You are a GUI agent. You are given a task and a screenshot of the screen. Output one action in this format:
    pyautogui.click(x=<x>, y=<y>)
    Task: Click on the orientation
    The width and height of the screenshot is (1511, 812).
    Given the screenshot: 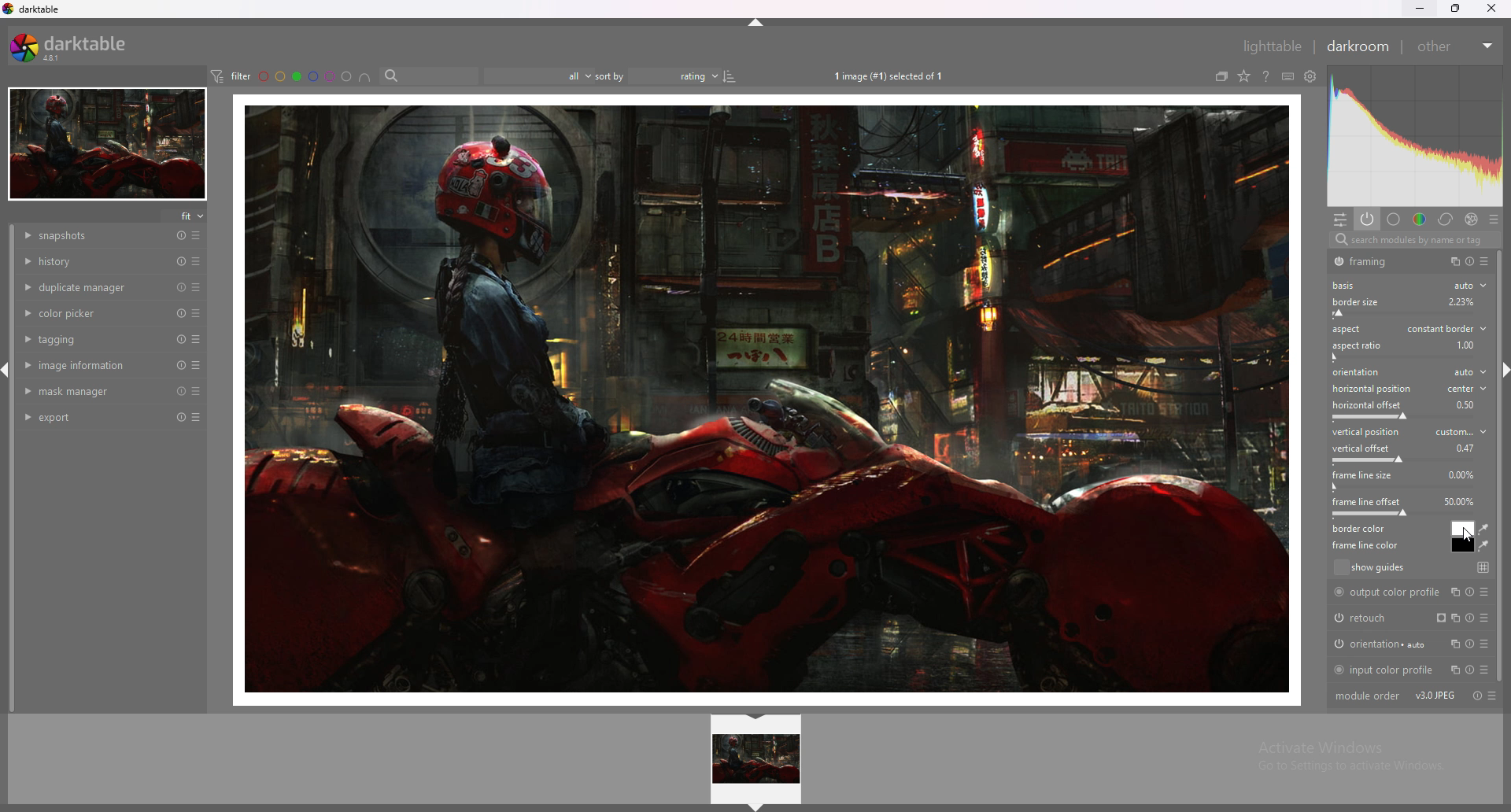 What is the action you would take?
    pyautogui.click(x=1409, y=644)
    